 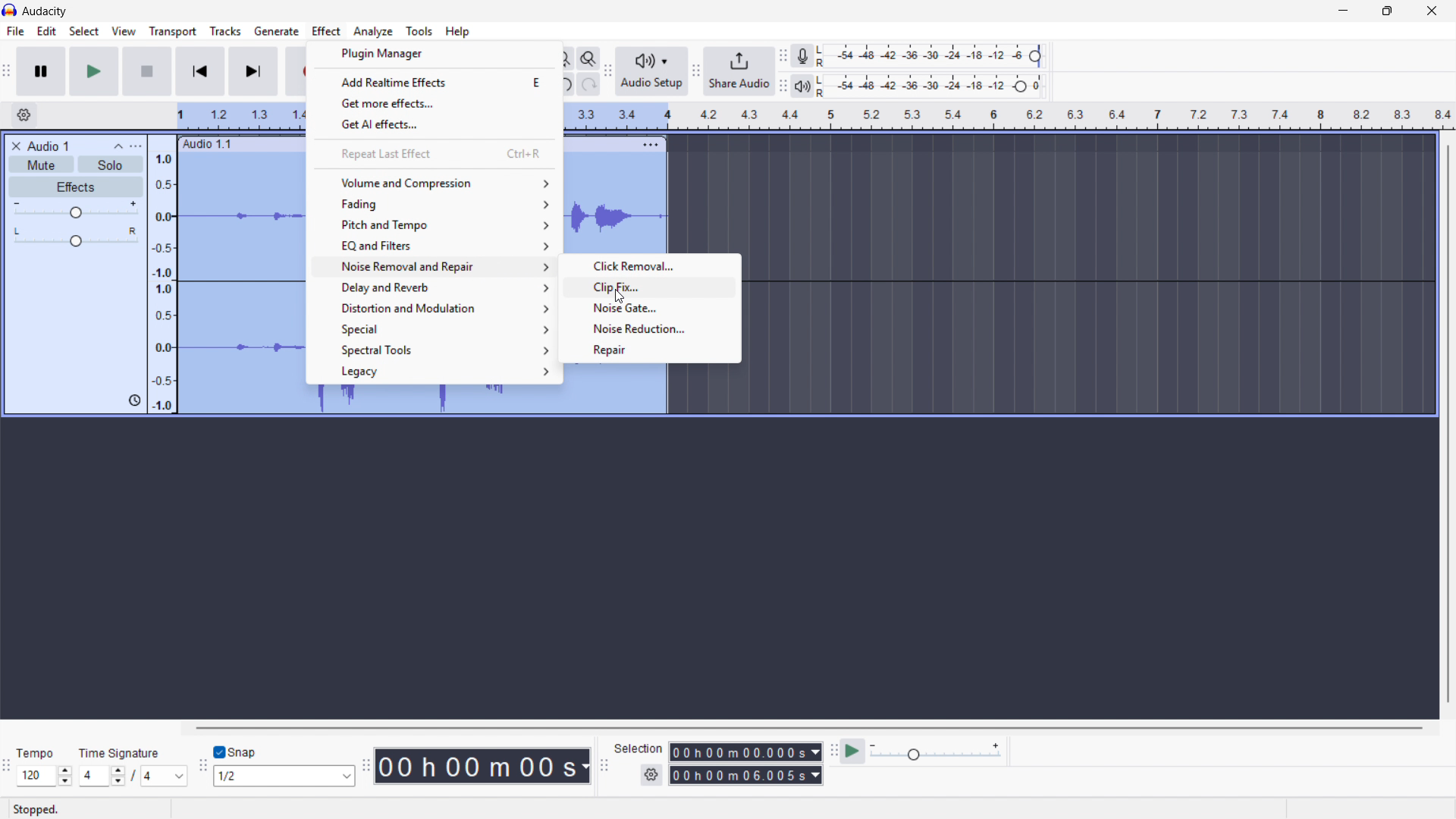 What do you see at coordinates (433, 309) in the screenshot?
I see `Distortion and modulation` at bounding box center [433, 309].